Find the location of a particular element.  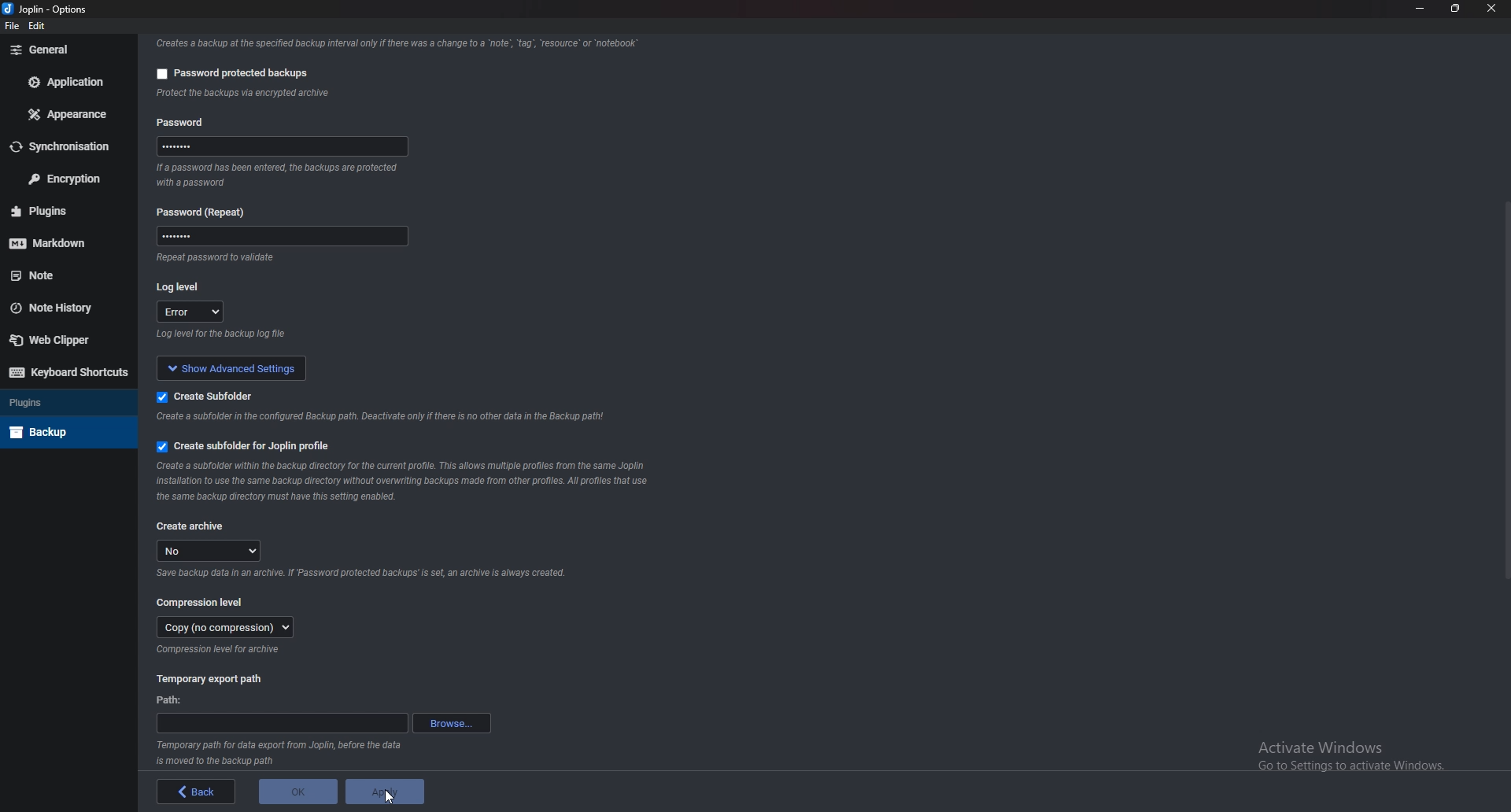

info is located at coordinates (281, 336).